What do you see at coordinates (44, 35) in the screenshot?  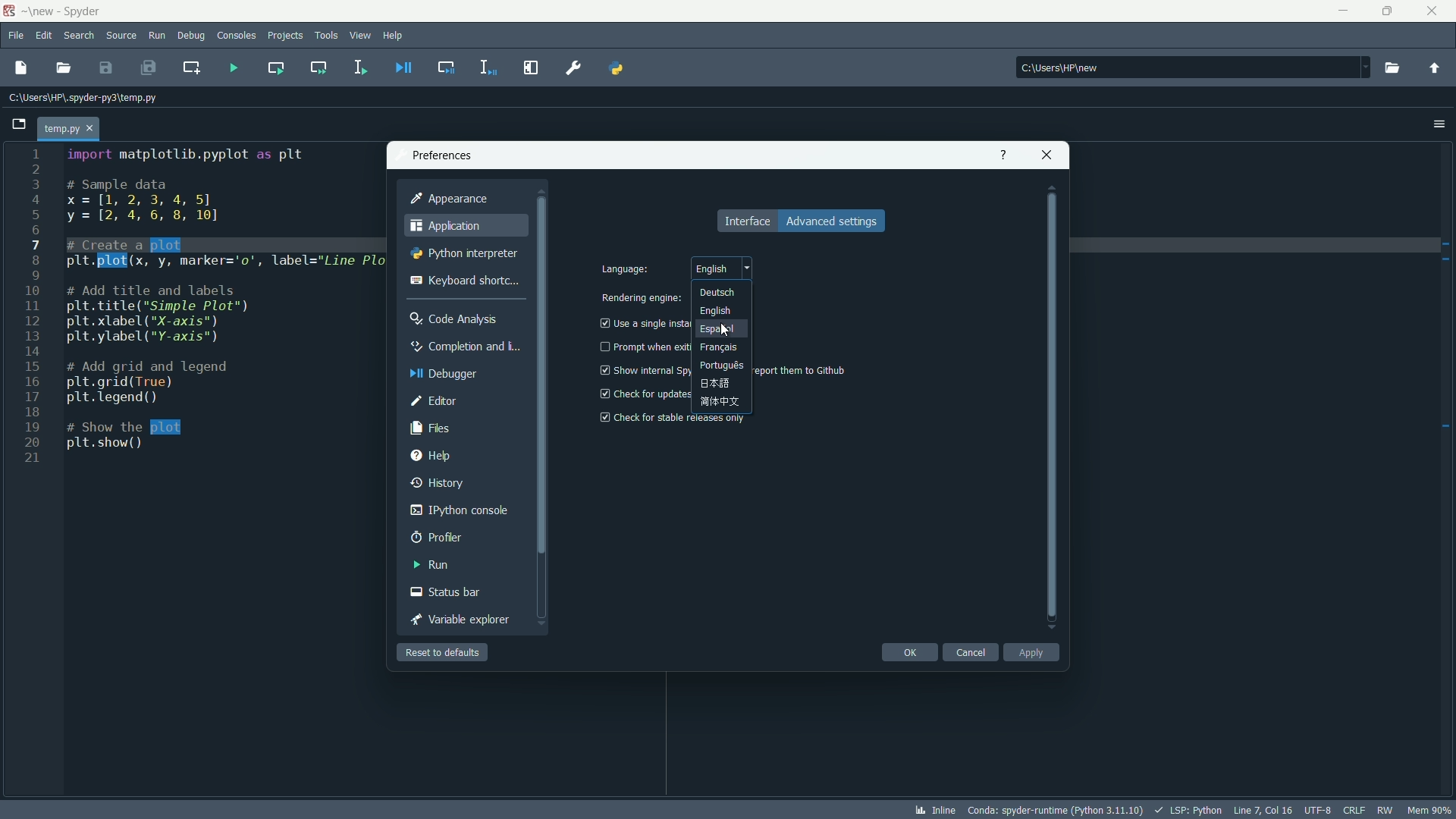 I see `edit` at bounding box center [44, 35].